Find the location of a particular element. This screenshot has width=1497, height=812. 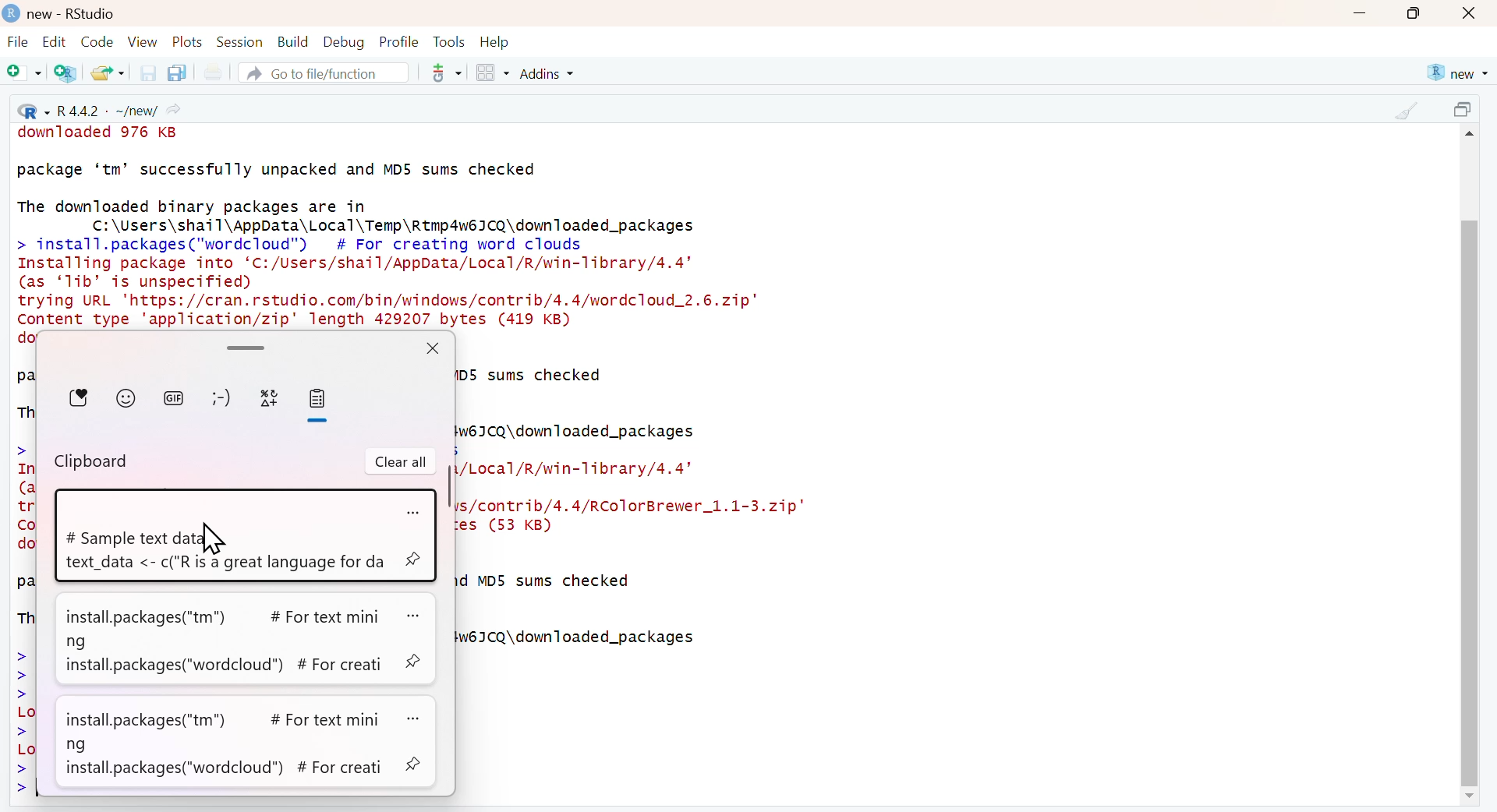

scroll bar is located at coordinates (247, 347).